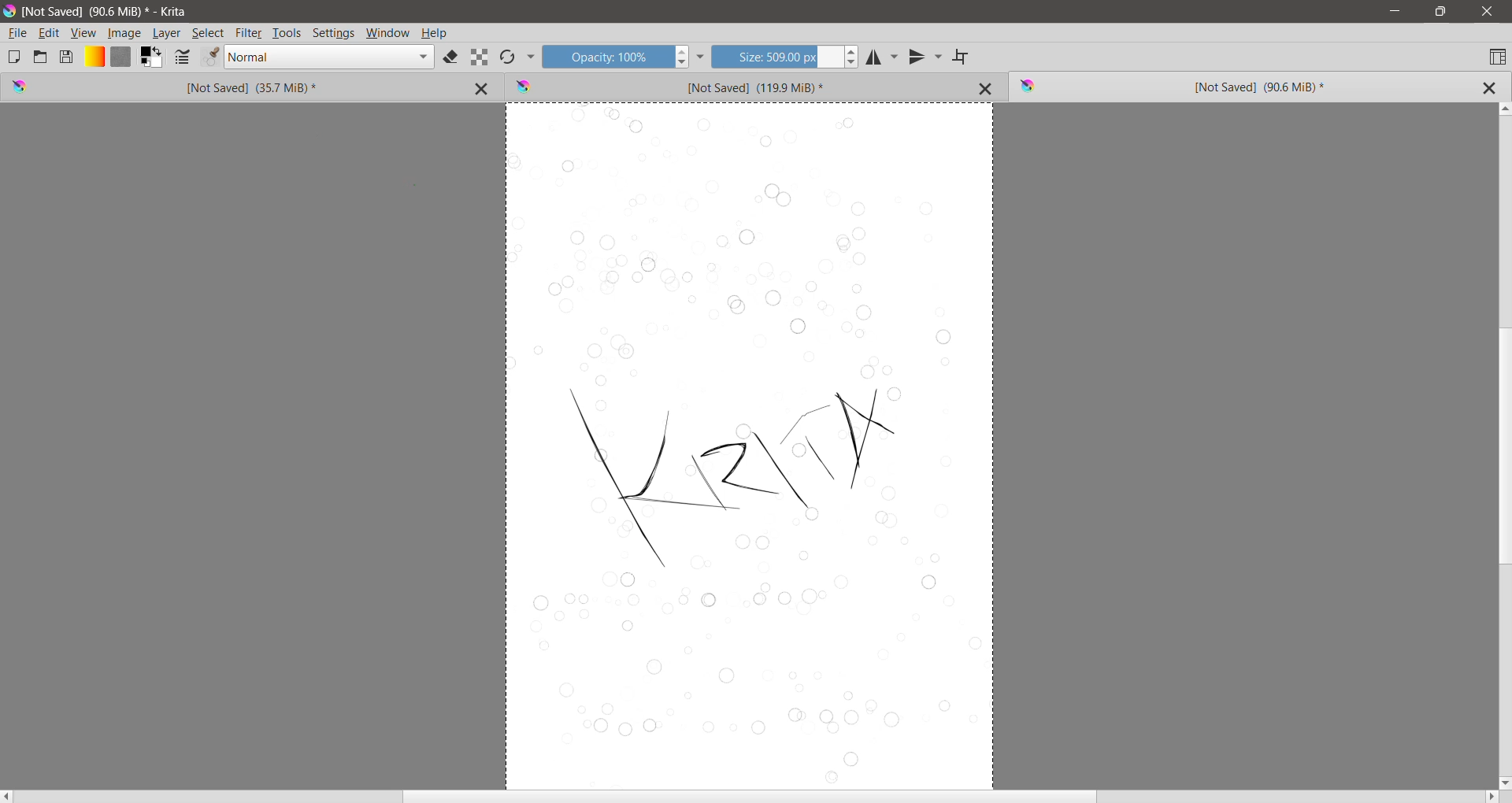 The width and height of the screenshot is (1512, 803). I want to click on Horizontal Mirror Tool, so click(883, 56).